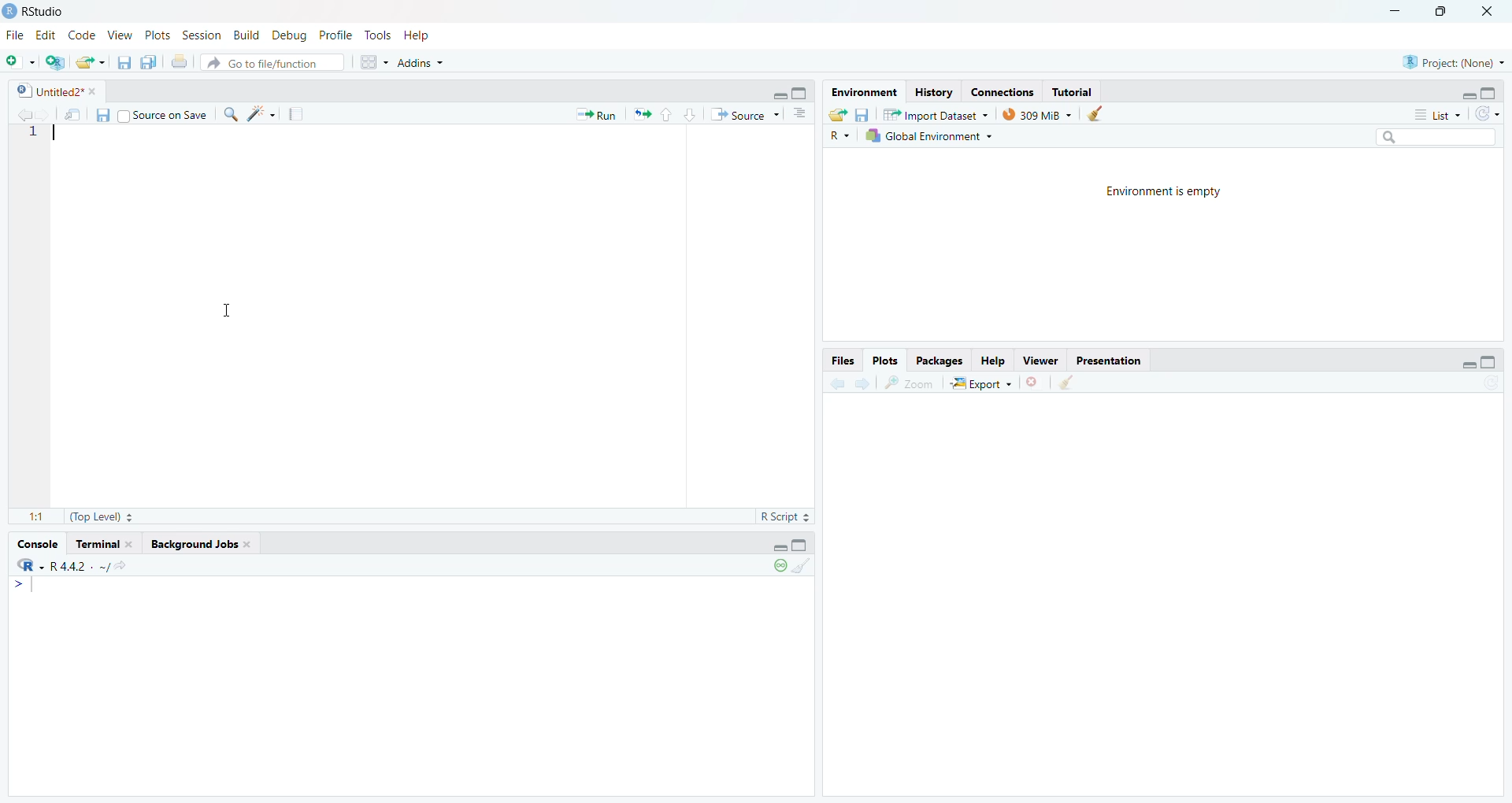 The image size is (1512, 803). Describe the element at coordinates (46, 37) in the screenshot. I see `Edit` at that location.